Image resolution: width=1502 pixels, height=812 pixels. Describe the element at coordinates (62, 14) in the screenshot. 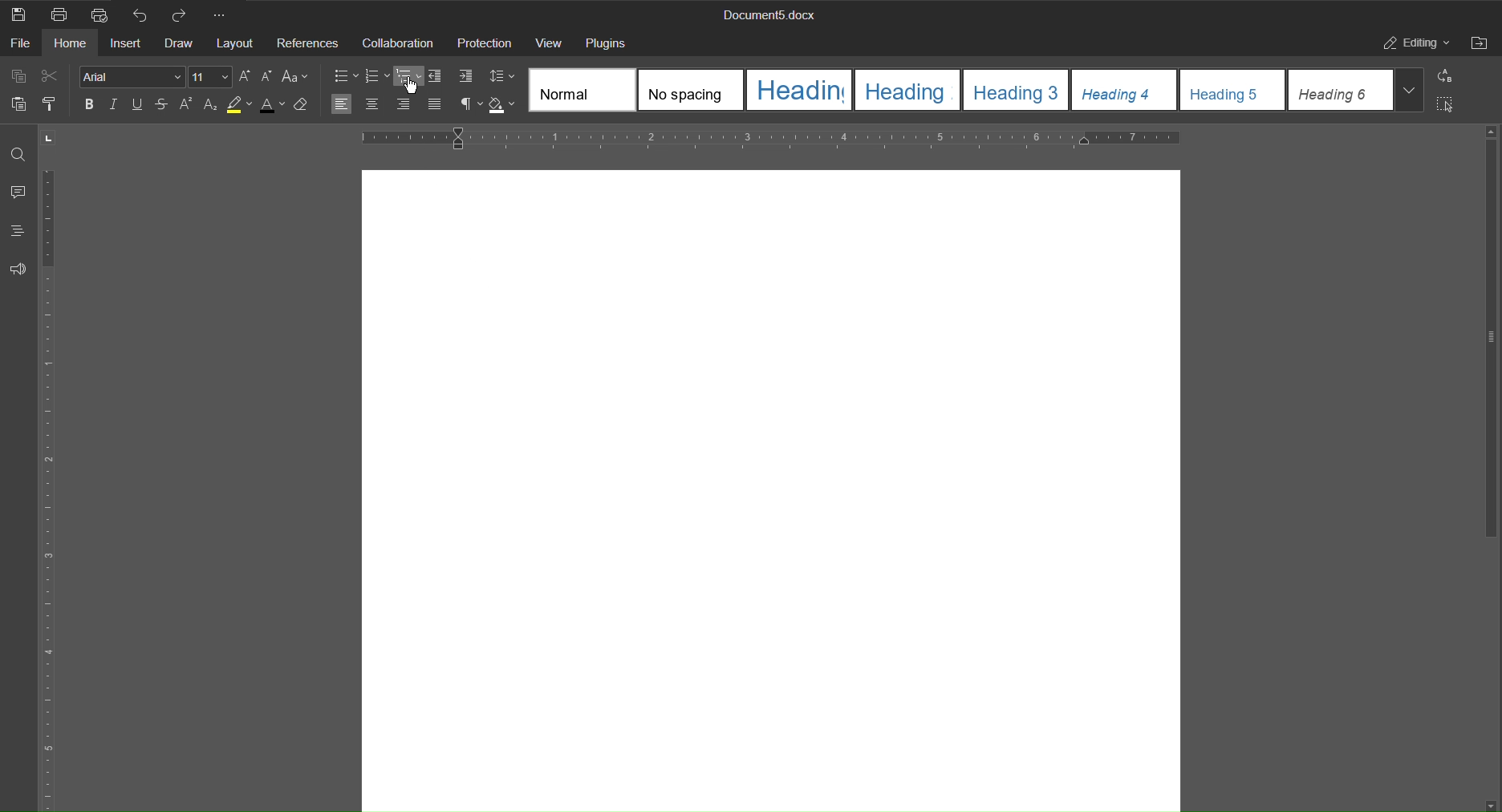

I see `Print` at that location.